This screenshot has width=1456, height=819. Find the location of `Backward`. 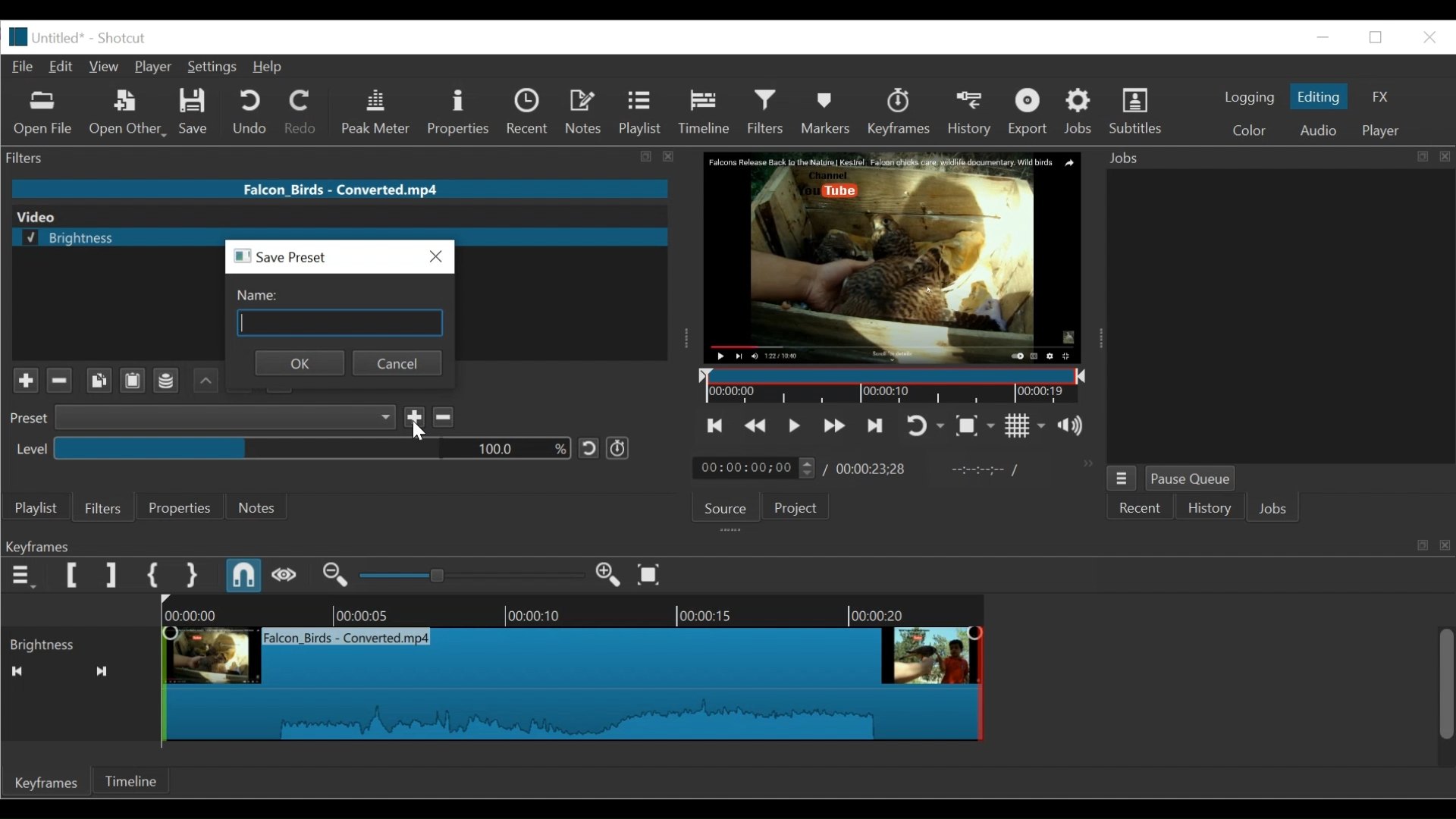

Backward is located at coordinates (201, 381).